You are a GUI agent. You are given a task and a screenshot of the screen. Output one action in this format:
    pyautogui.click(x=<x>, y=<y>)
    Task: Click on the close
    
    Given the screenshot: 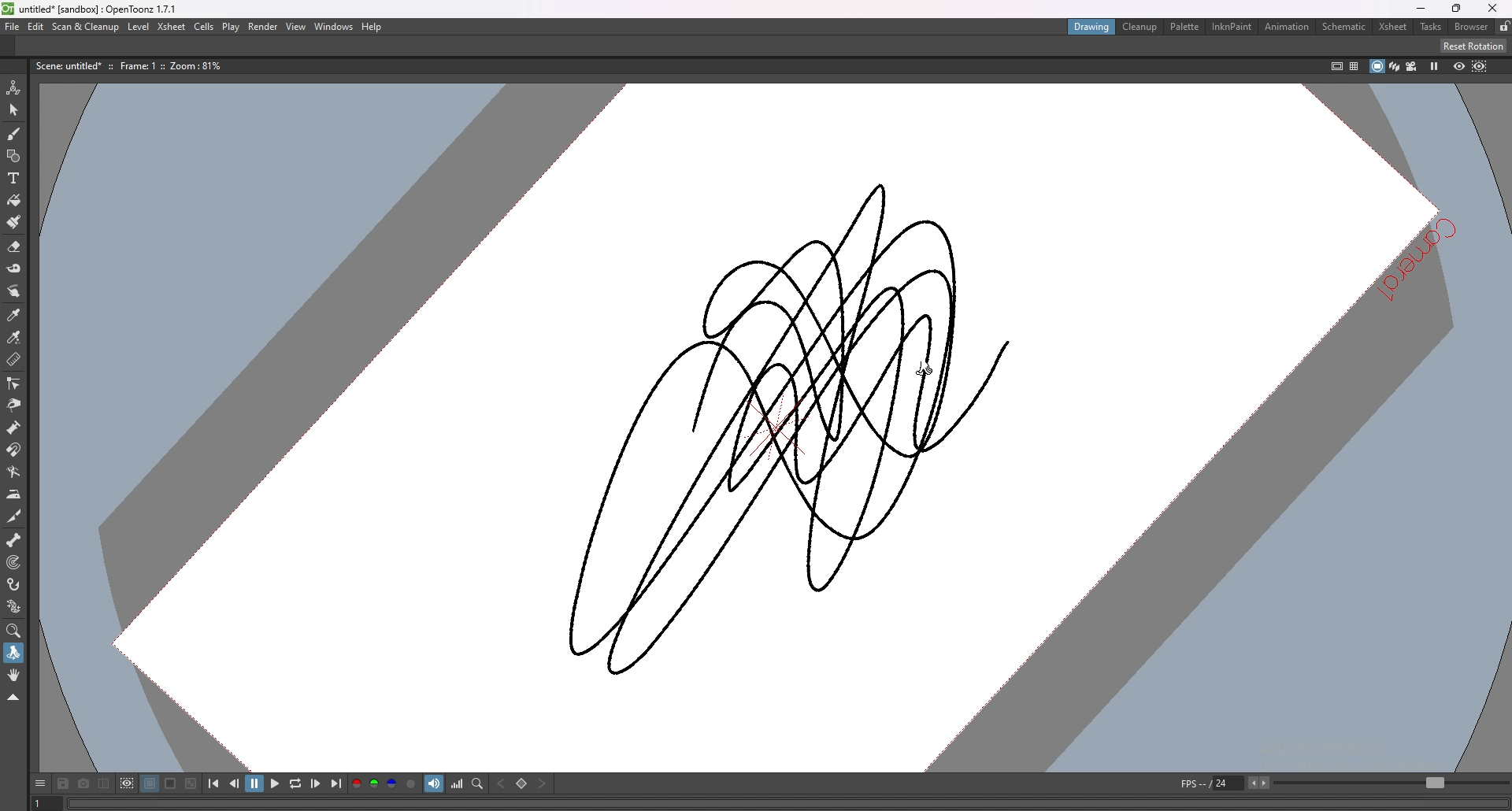 What is the action you would take?
    pyautogui.click(x=1495, y=8)
    